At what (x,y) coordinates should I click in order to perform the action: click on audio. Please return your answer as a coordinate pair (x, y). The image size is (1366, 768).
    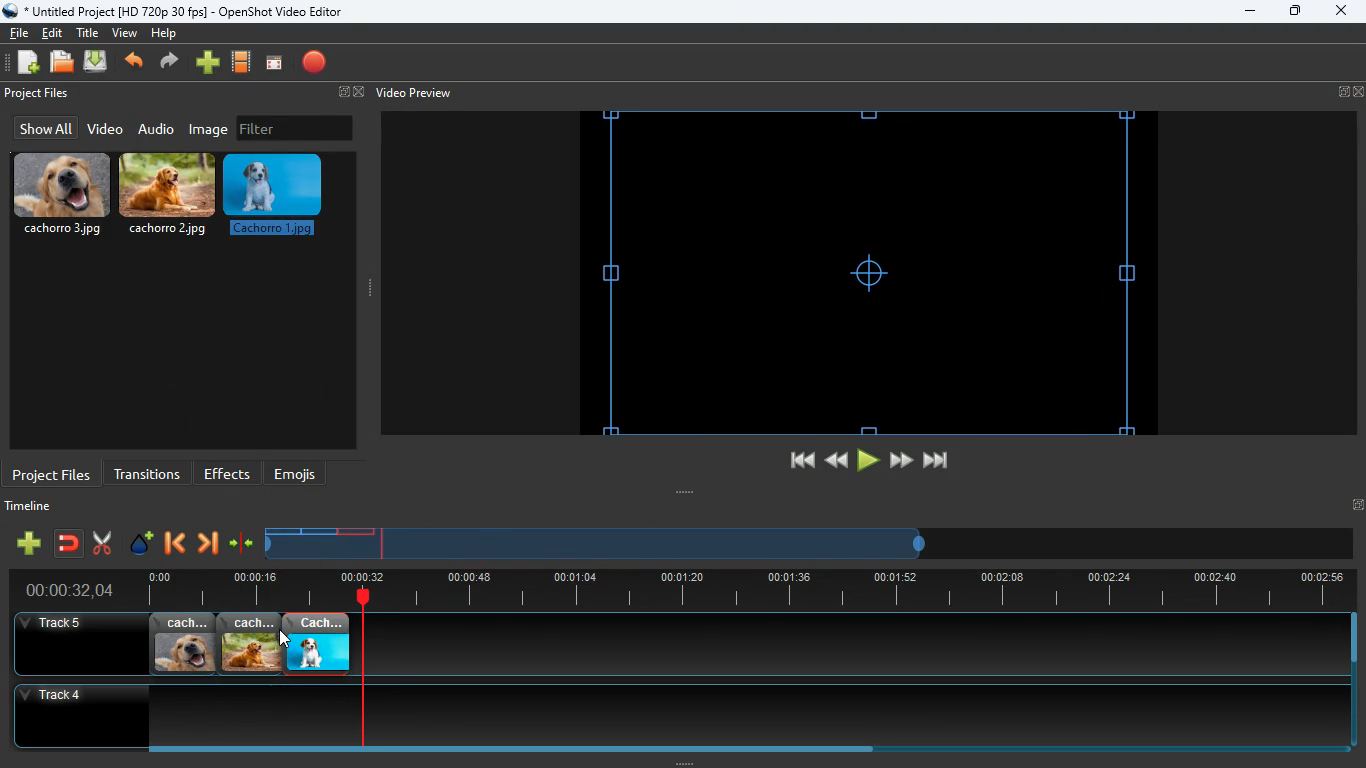
    Looking at the image, I should click on (157, 128).